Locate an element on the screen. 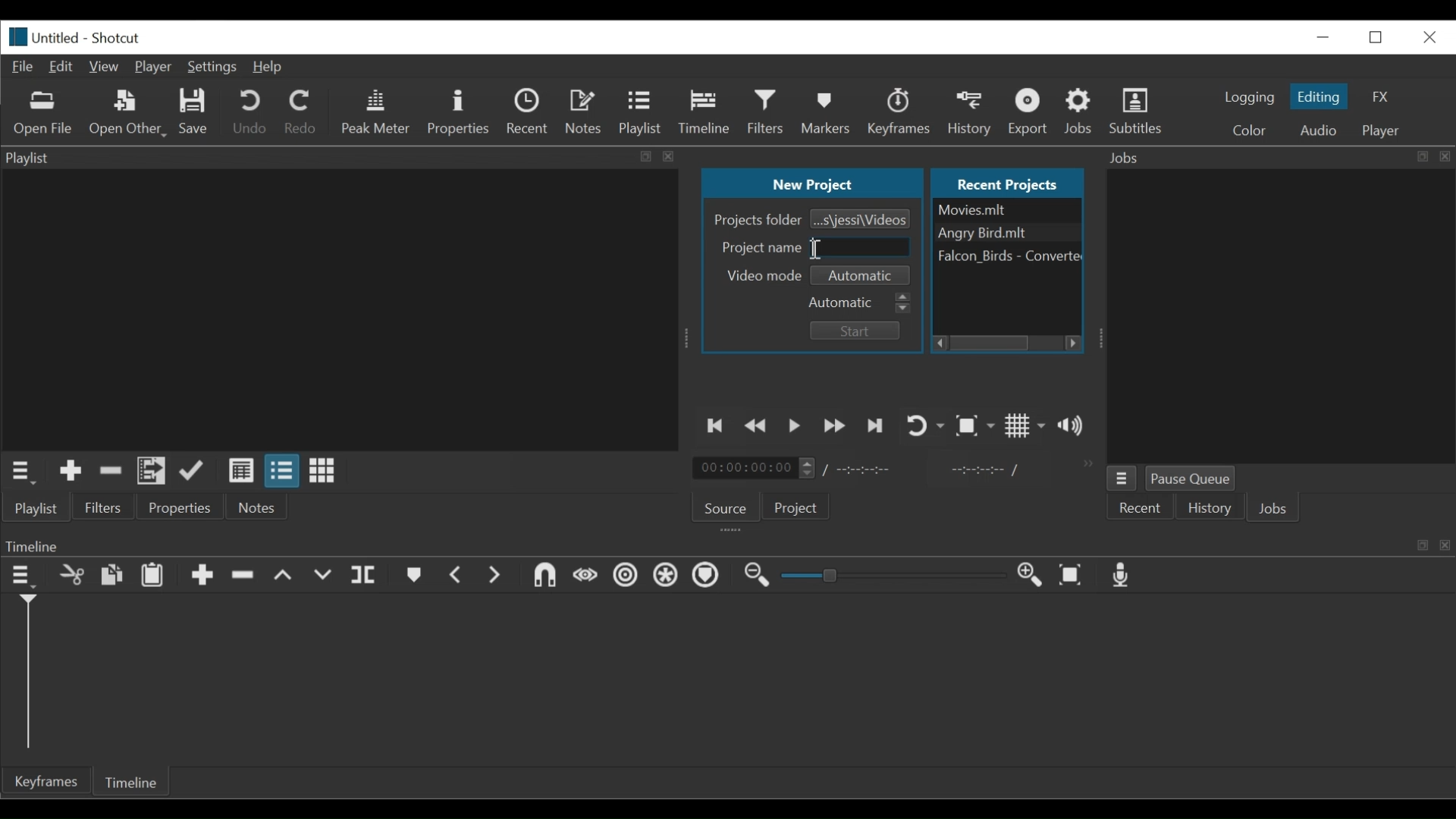 This screenshot has width=1456, height=819. Player is located at coordinates (153, 67).